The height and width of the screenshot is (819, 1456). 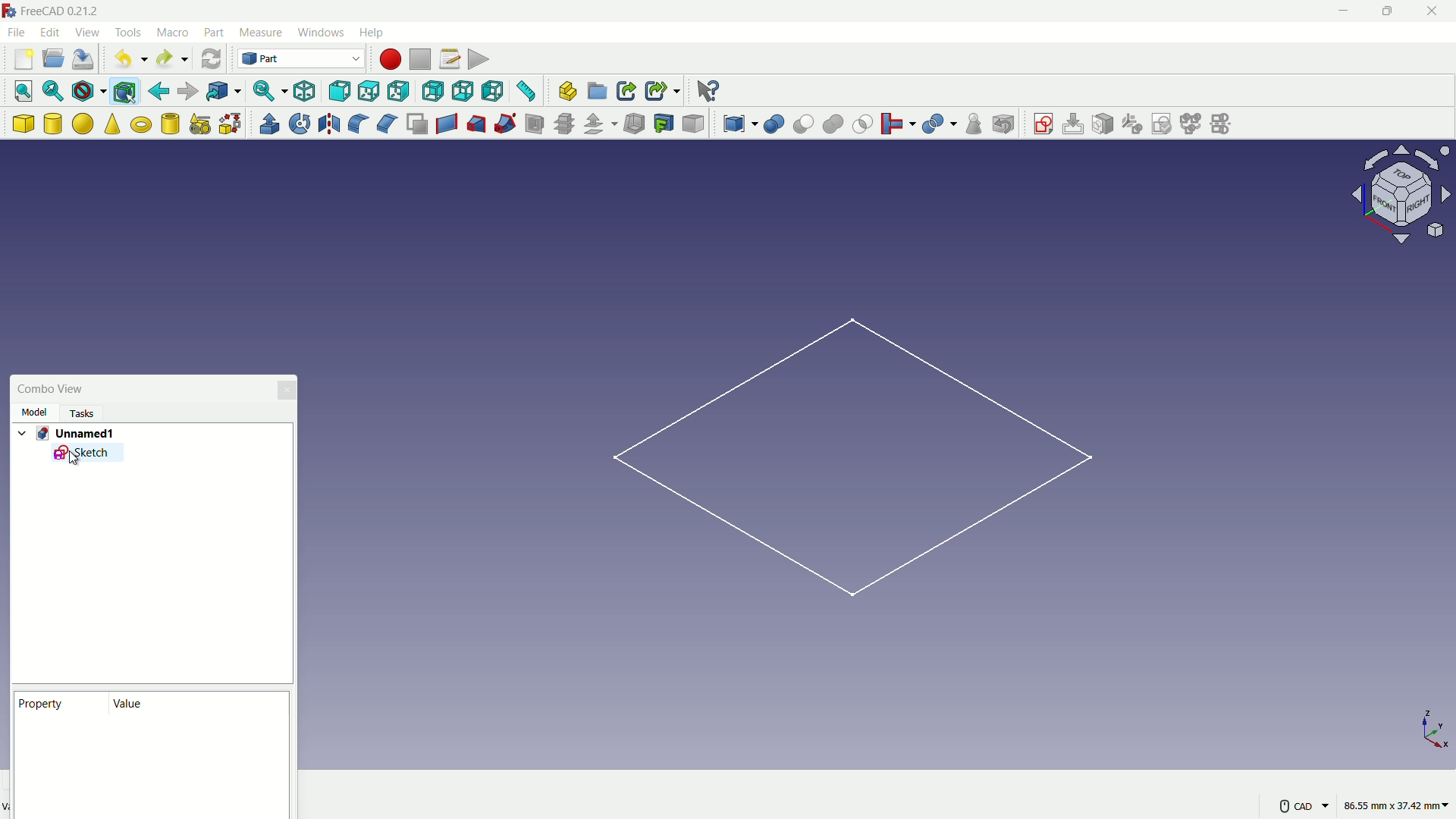 What do you see at coordinates (775, 124) in the screenshot?
I see `boolean` at bounding box center [775, 124].